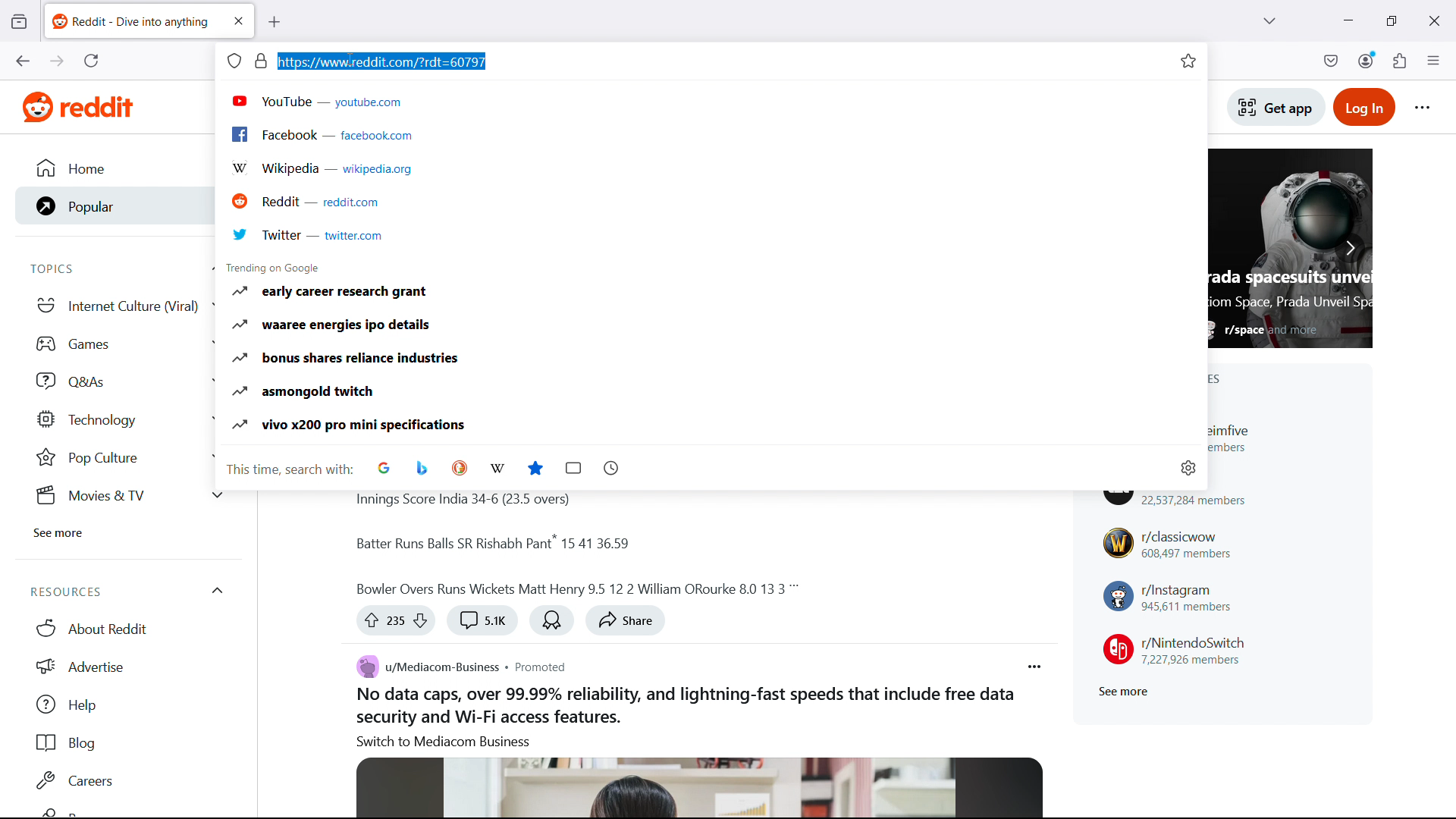  Describe the element at coordinates (1401, 59) in the screenshot. I see `extensions` at that location.